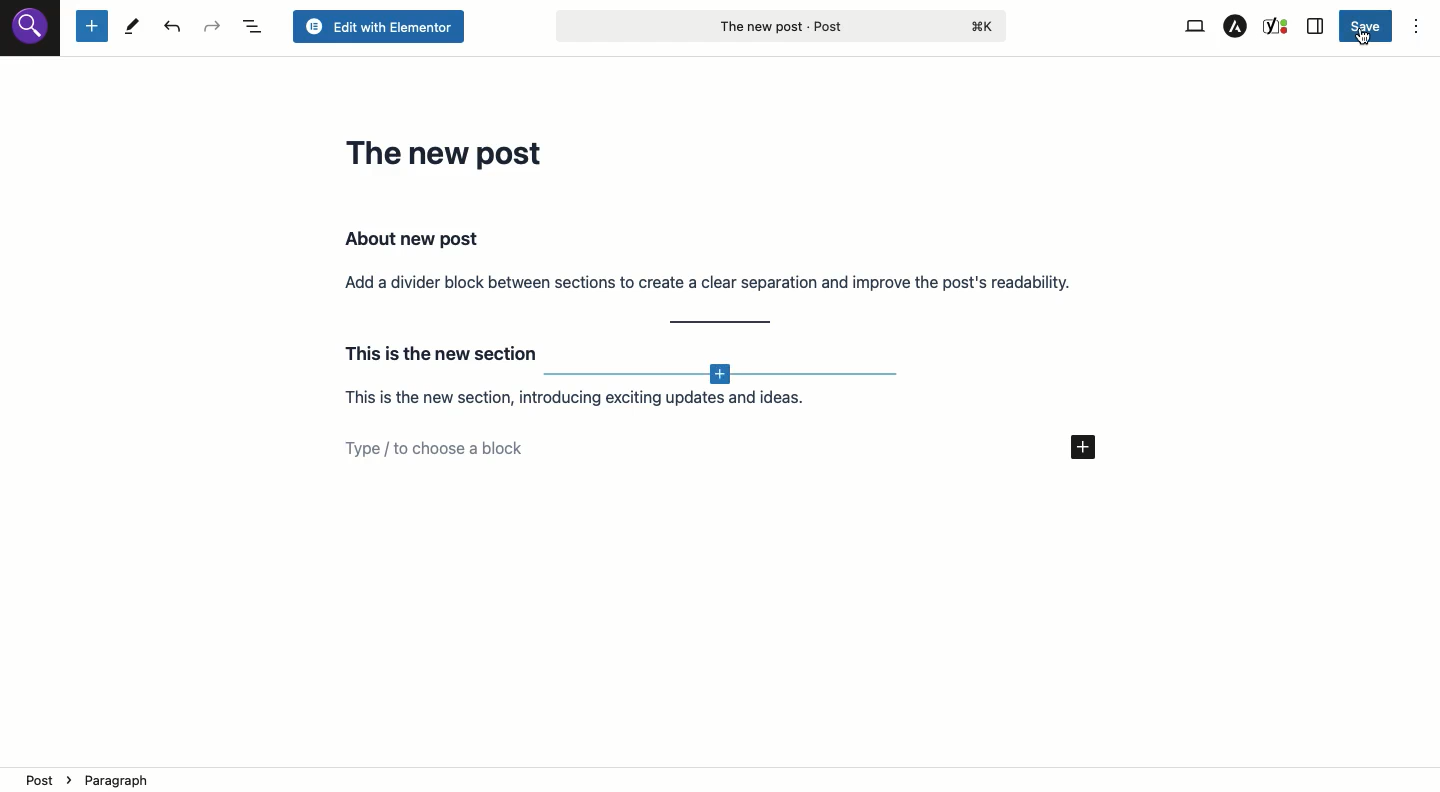  I want to click on Site icon, so click(31, 29).